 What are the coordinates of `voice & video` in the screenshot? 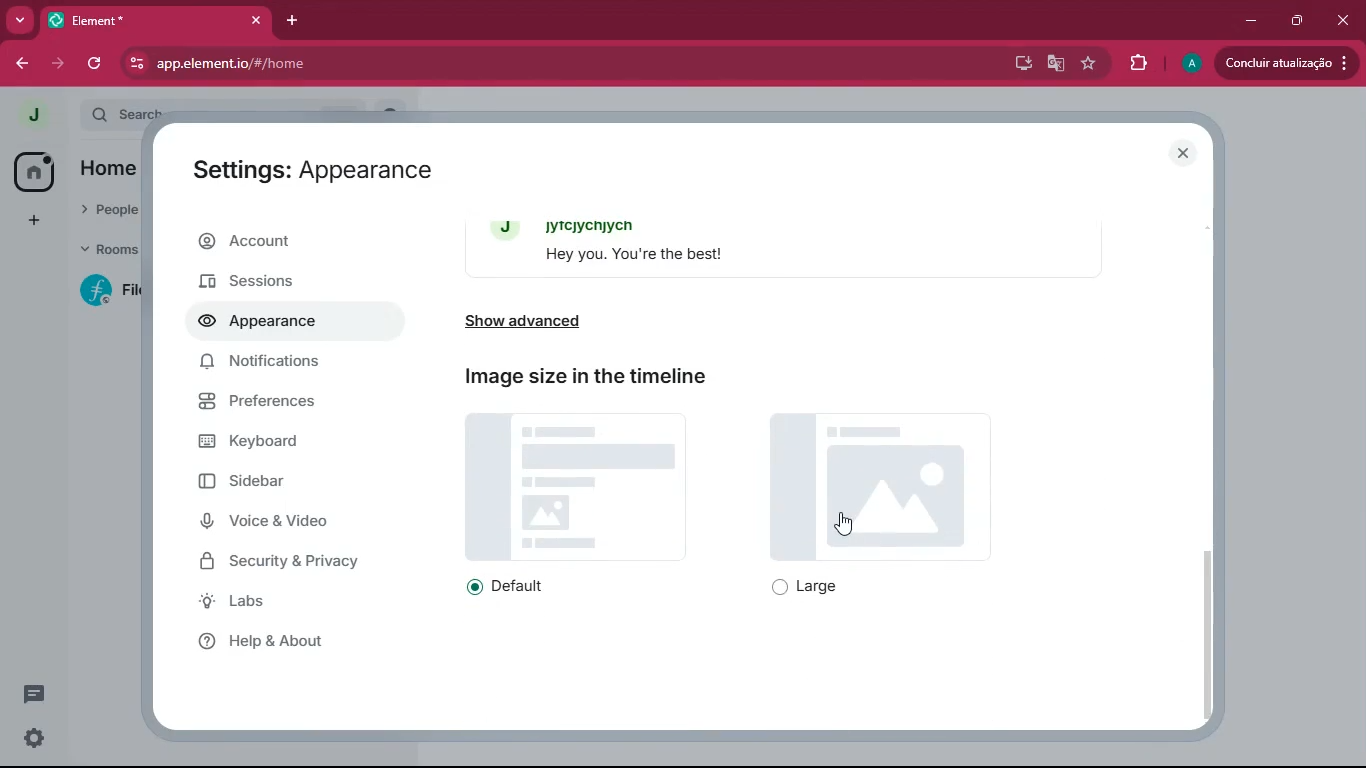 It's located at (290, 523).